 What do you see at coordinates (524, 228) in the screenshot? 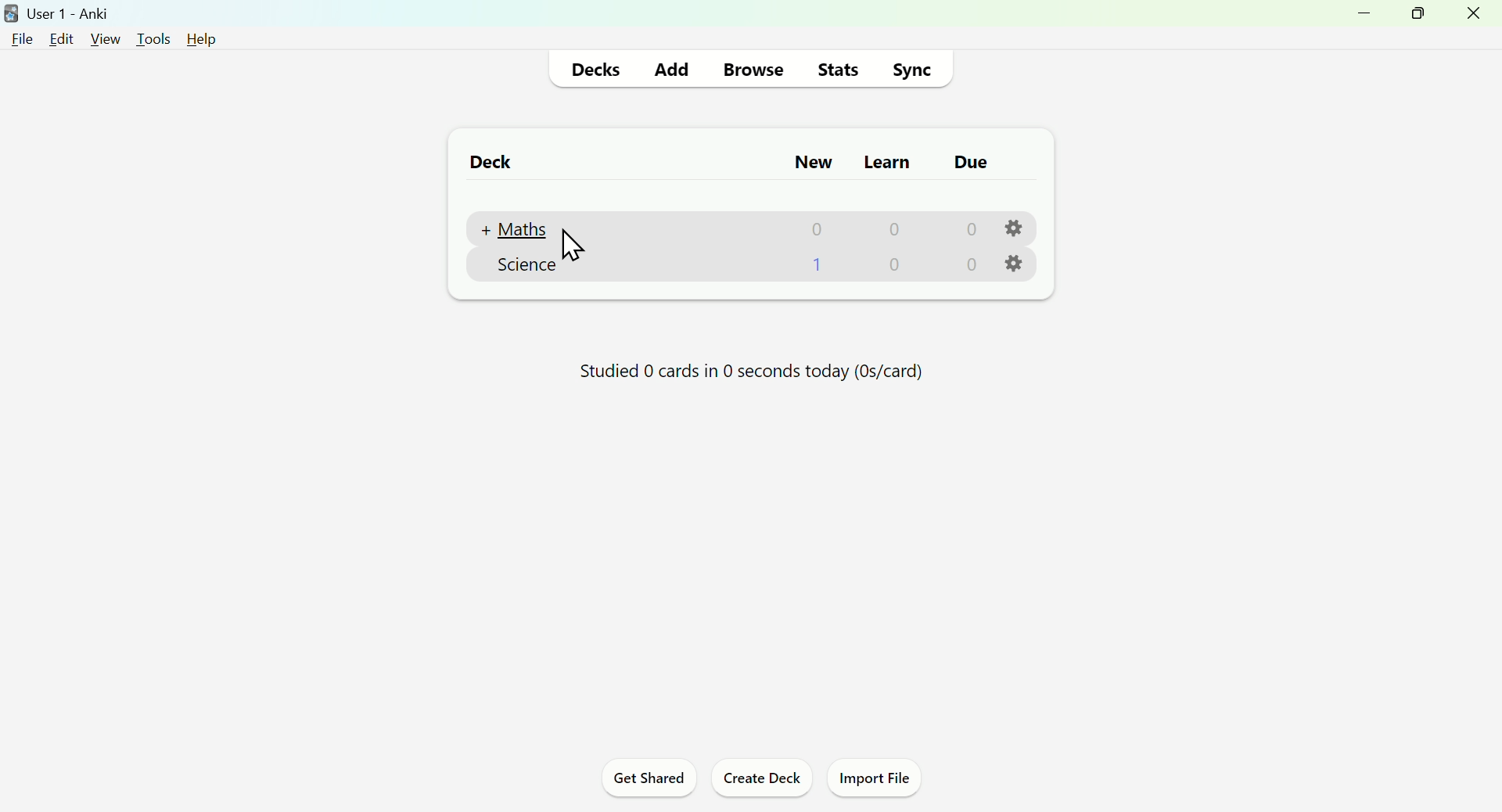
I see `+ Maths` at bounding box center [524, 228].